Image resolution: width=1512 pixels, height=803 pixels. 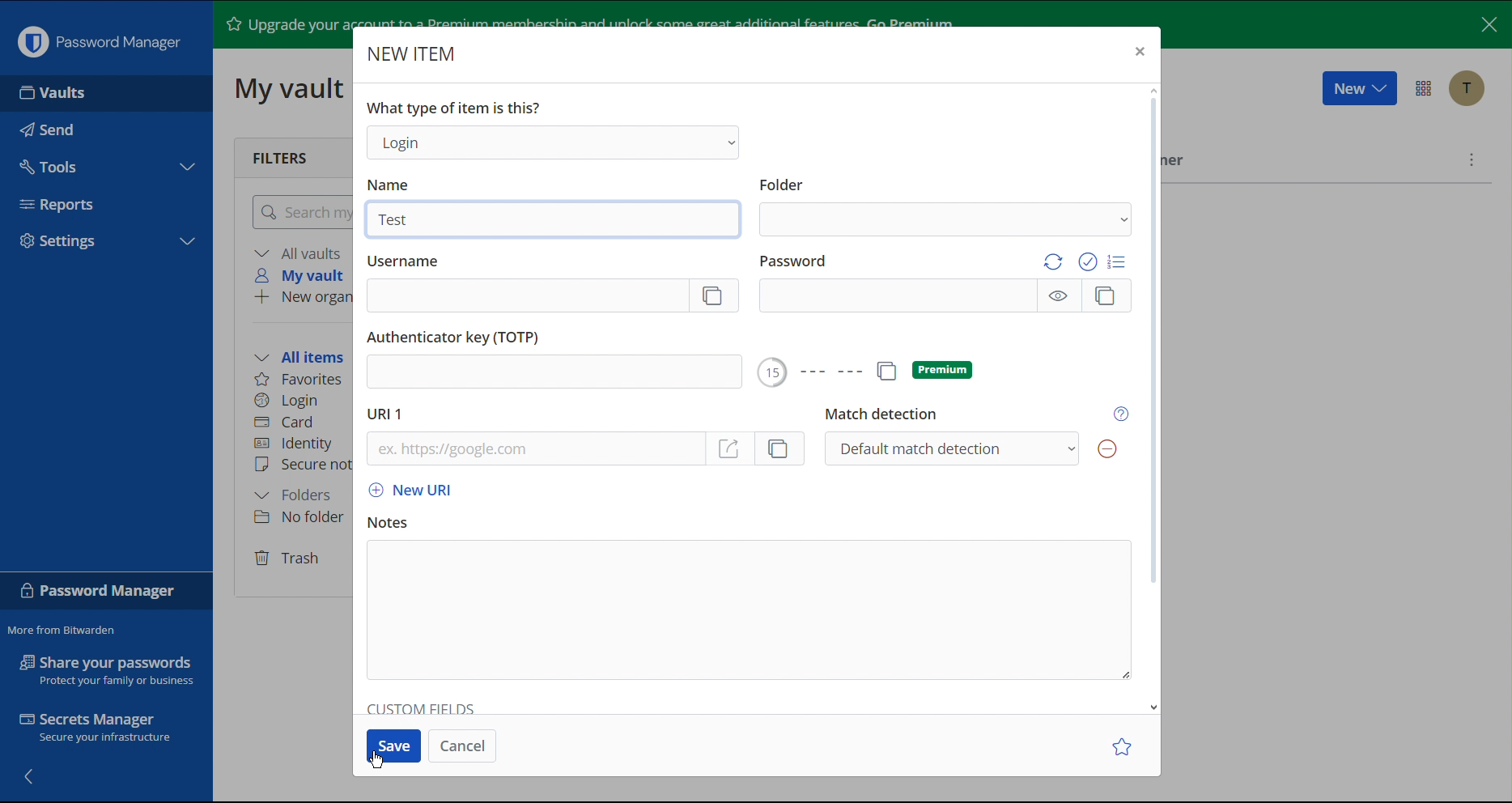 I want to click on Test, so click(x=398, y=220).